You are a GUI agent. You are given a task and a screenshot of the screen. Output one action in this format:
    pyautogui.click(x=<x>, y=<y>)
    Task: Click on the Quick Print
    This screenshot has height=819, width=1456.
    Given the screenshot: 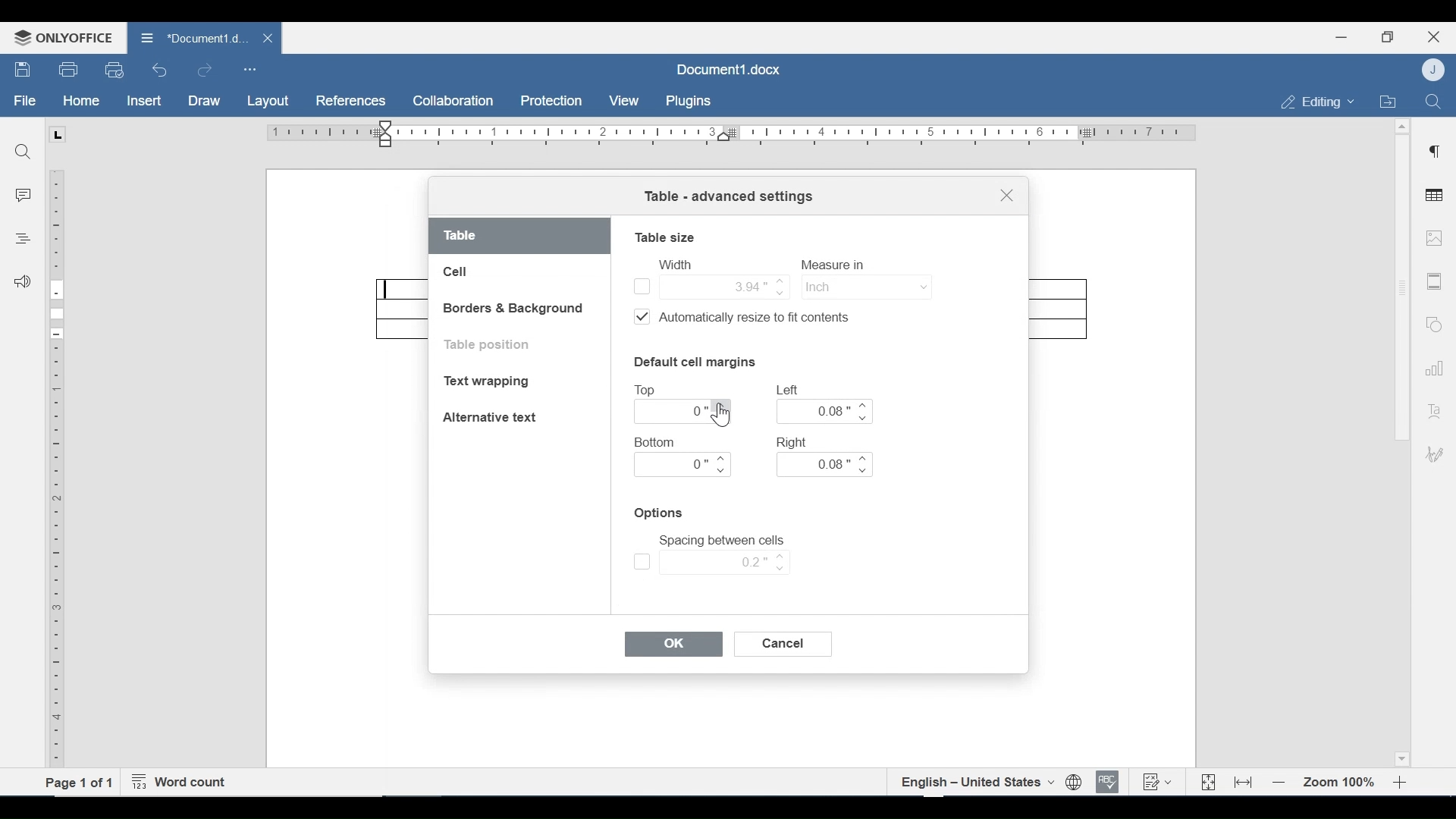 What is the action you would take?
    pyautogui.click(x=113, y=69)
    